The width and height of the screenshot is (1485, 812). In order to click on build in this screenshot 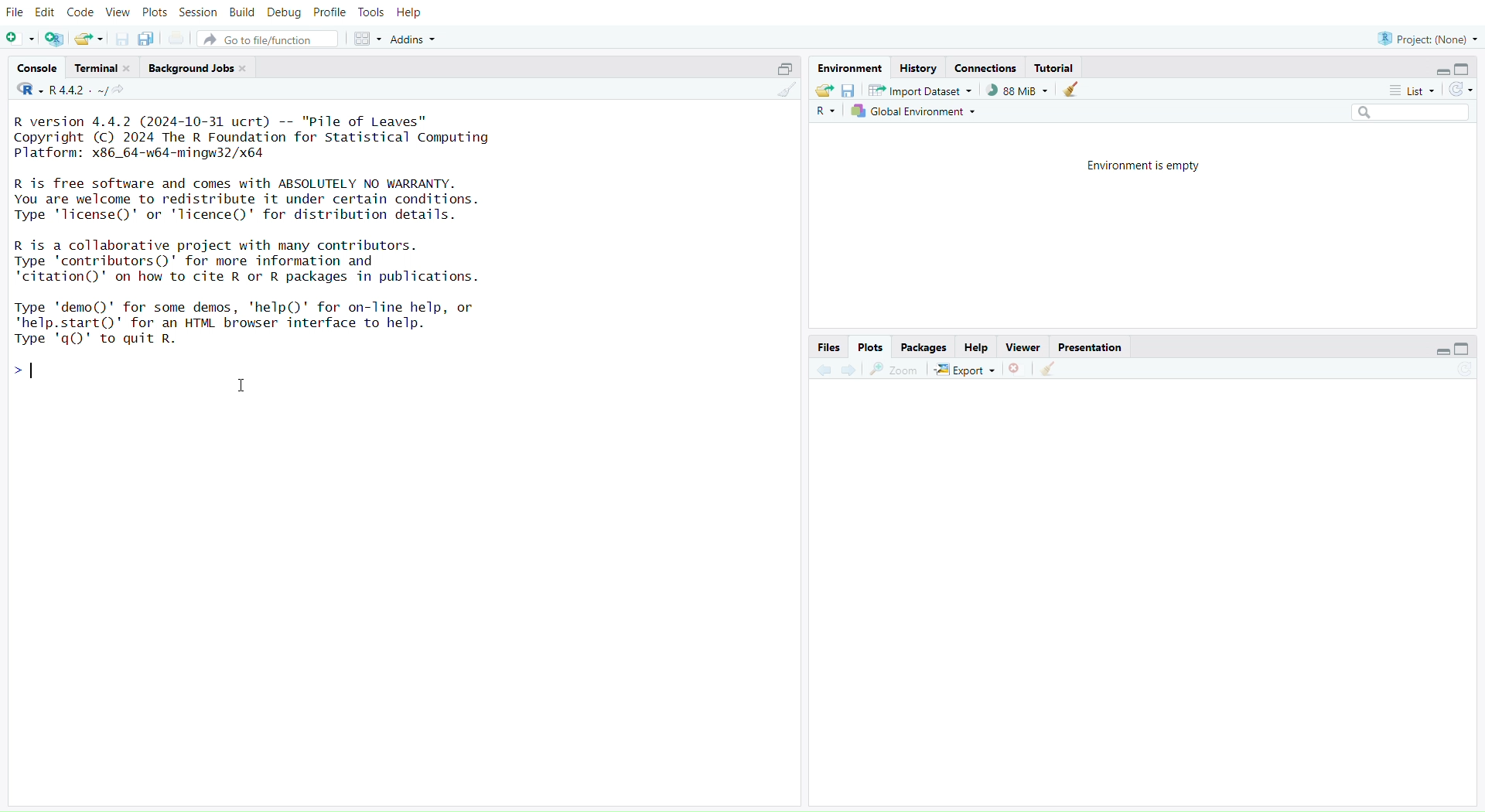, I will do `click(241, 13)`.